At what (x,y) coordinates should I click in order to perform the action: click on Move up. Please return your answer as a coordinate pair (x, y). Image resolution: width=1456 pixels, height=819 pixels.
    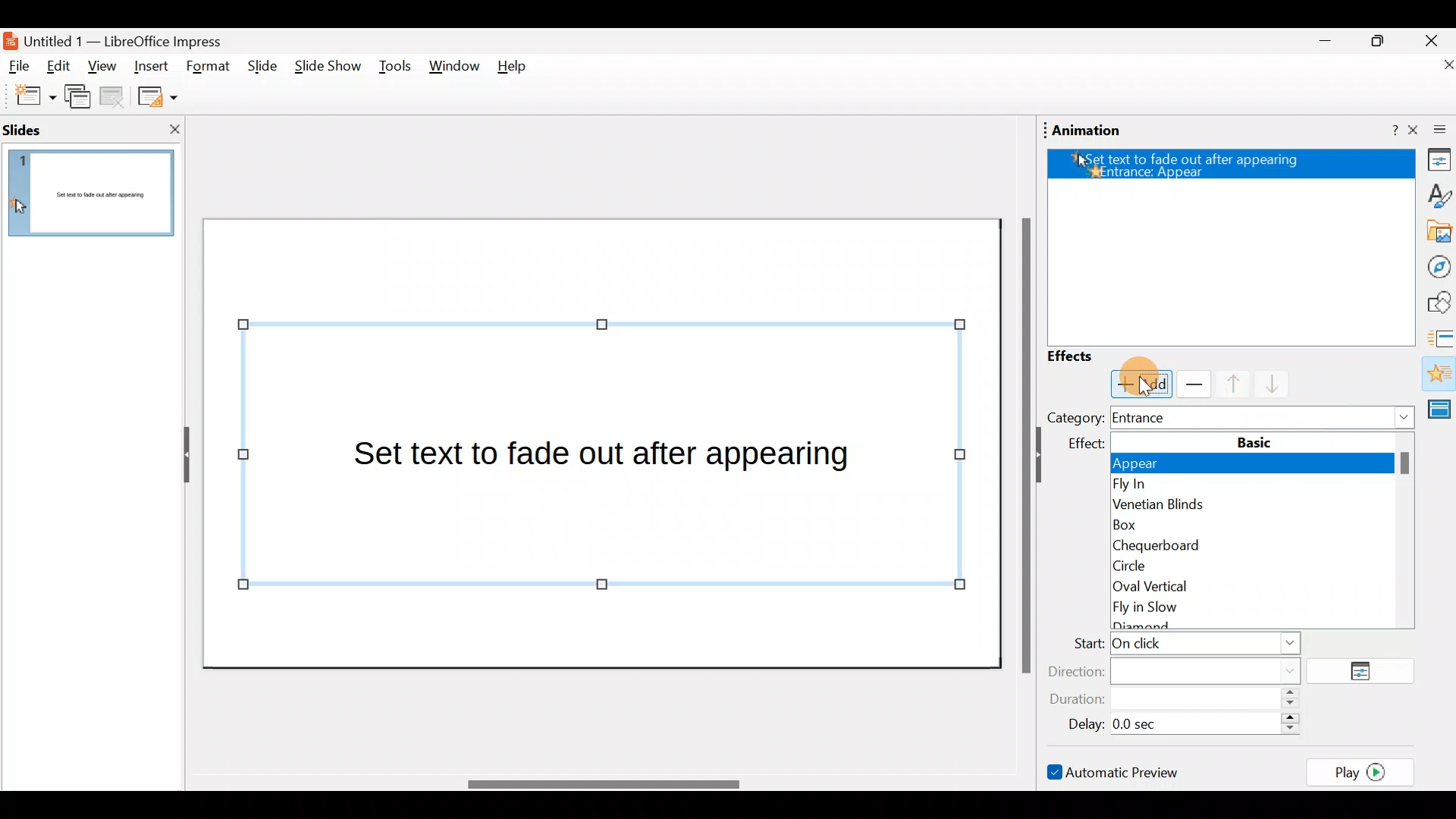
    Looking at the image, I should click on (1224, 384).